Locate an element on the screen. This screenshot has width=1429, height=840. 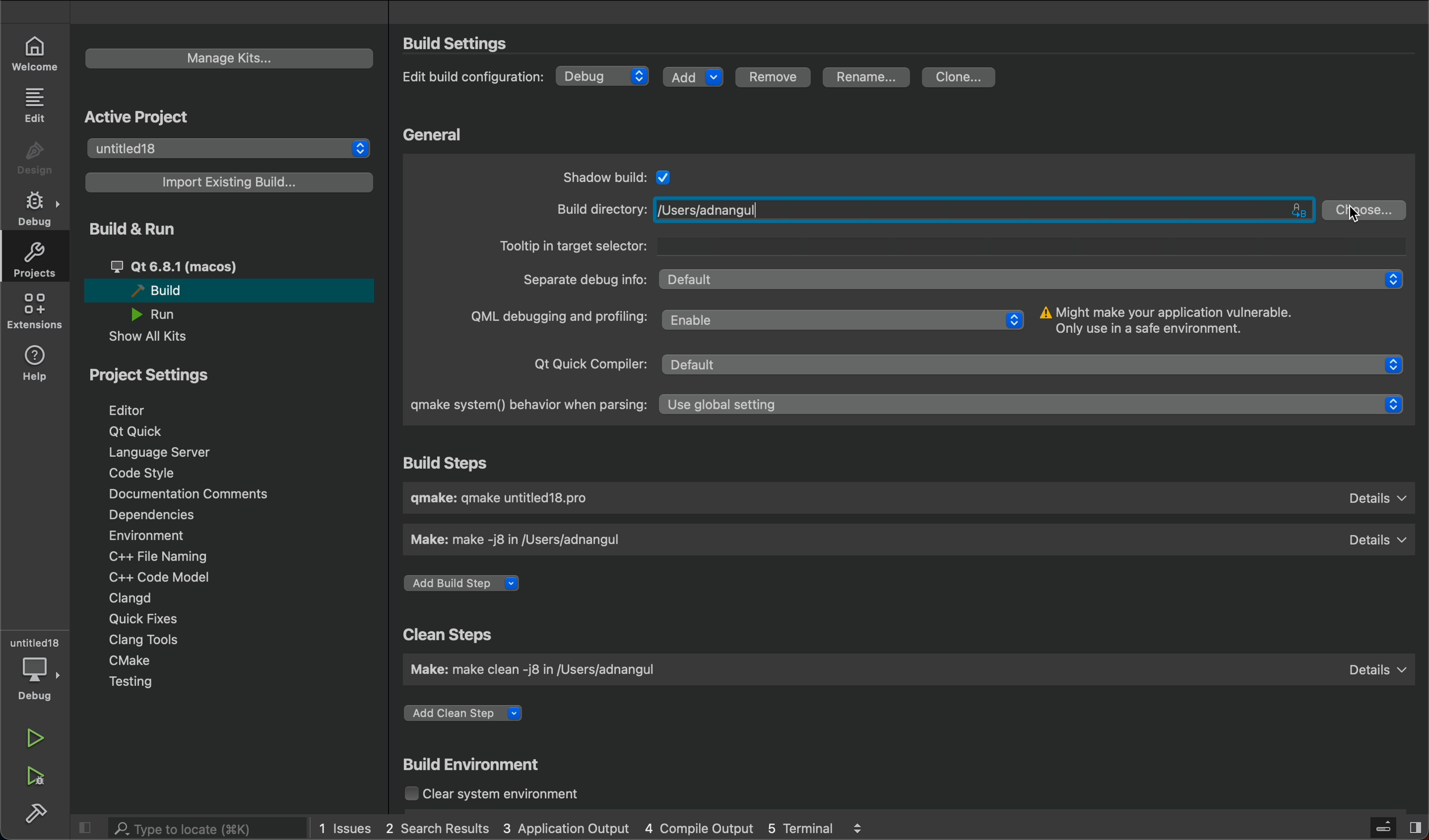
build environment is located at coordinates (483, 764).